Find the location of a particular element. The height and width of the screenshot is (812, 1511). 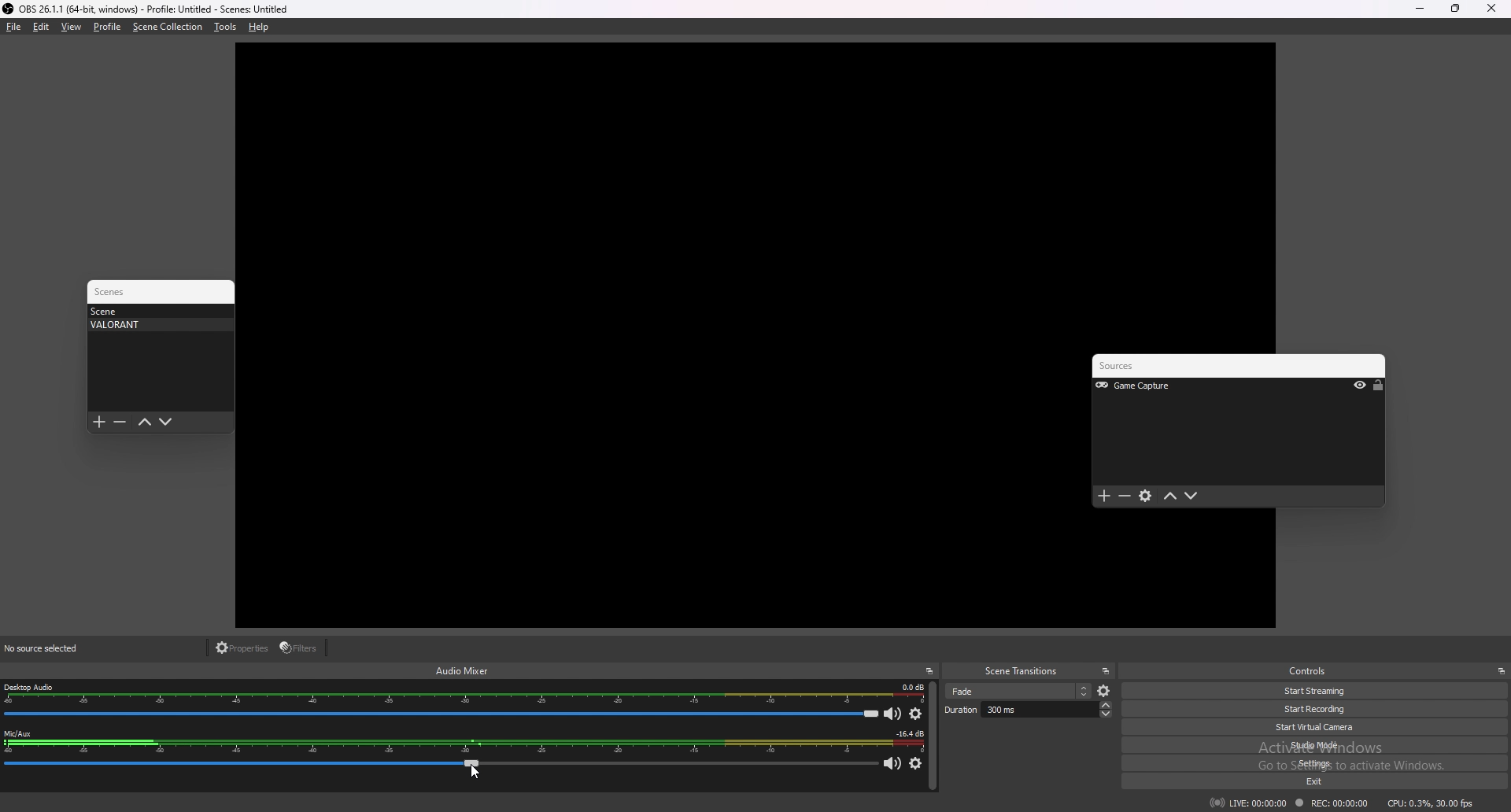

desktop audio is located at coordinates (464, 694).